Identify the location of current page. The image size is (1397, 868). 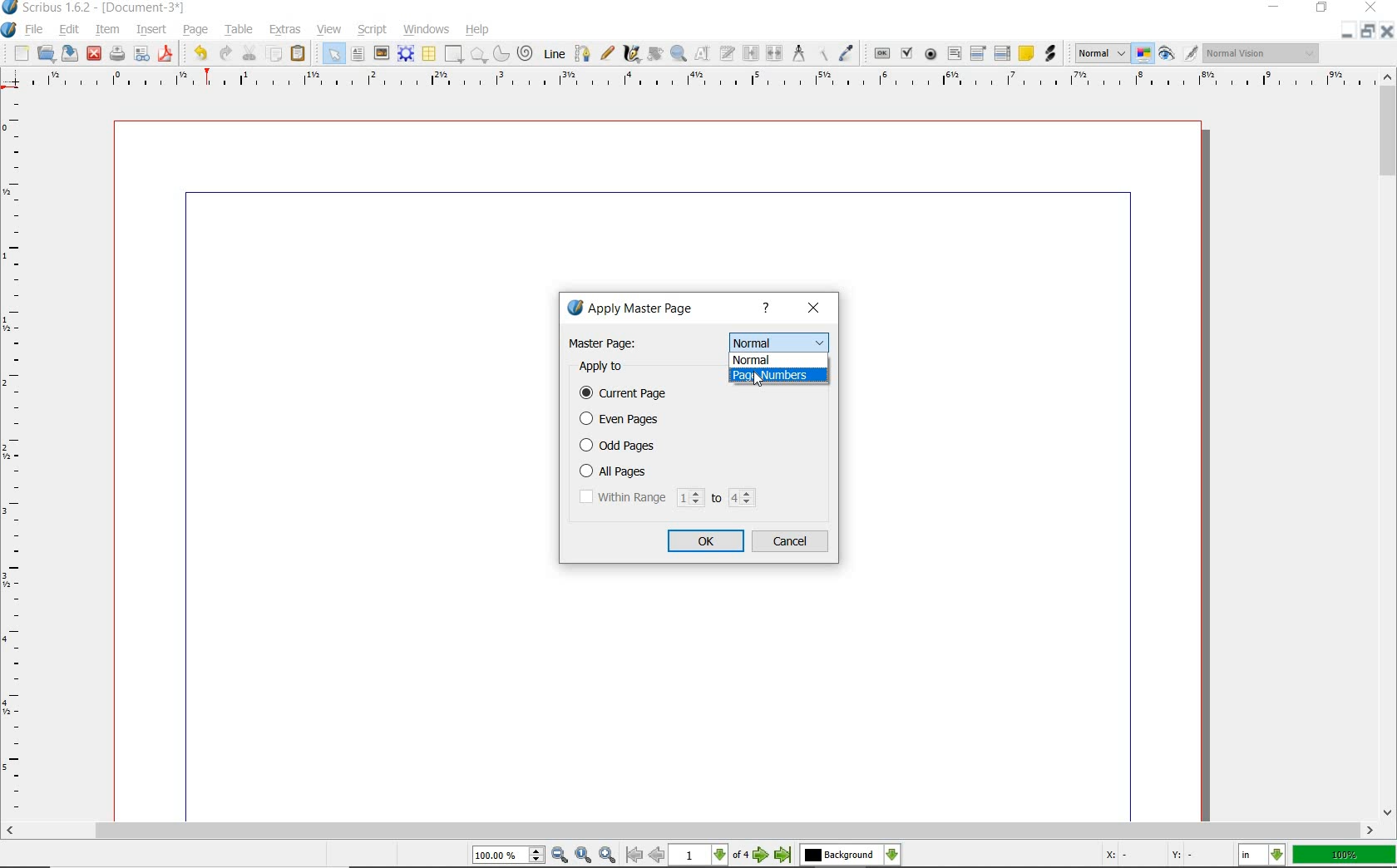
(632, 394).